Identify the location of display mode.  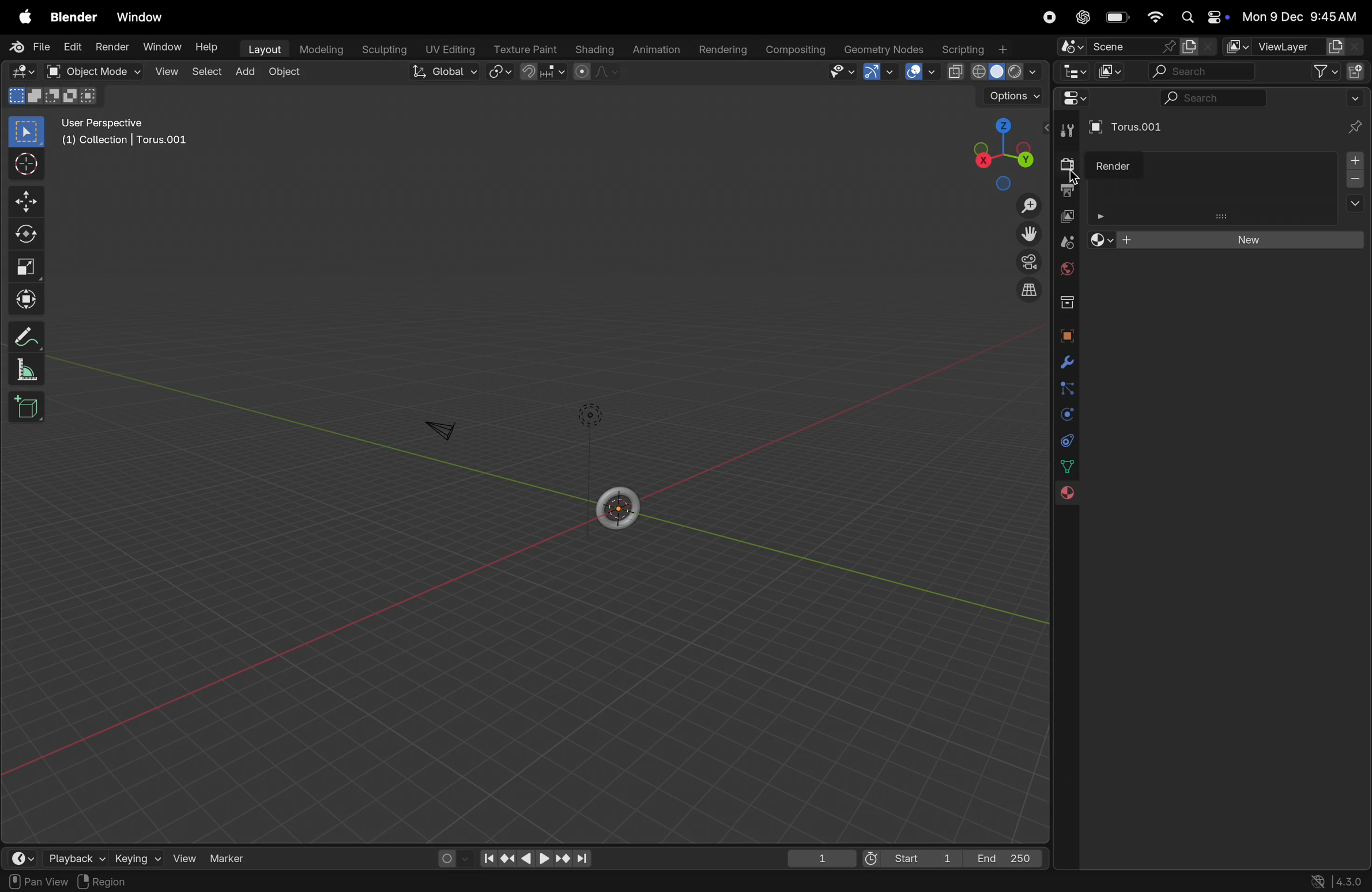
(1108, 73).